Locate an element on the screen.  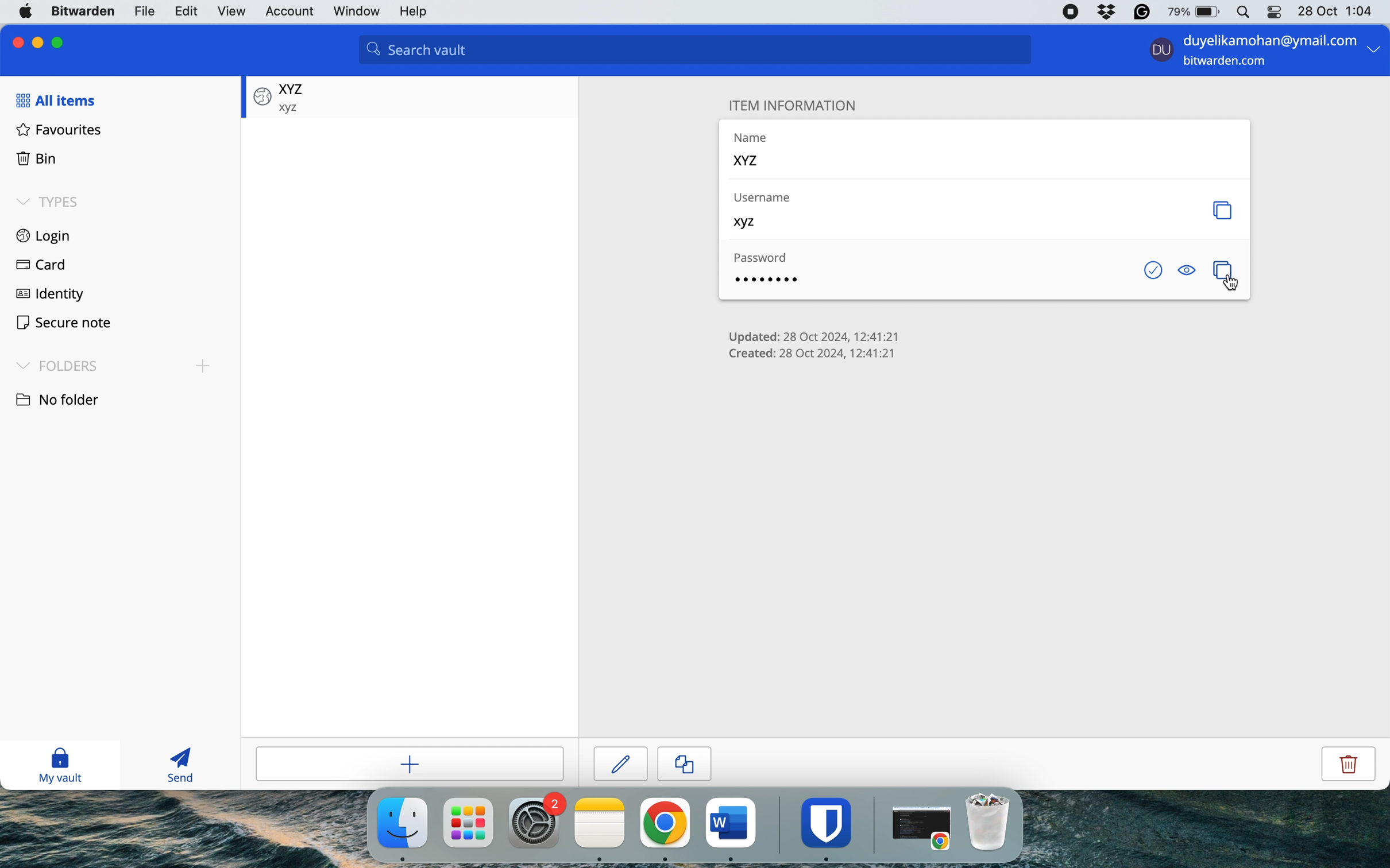
check if password has been exposed is located at coordinates (1149, 270).